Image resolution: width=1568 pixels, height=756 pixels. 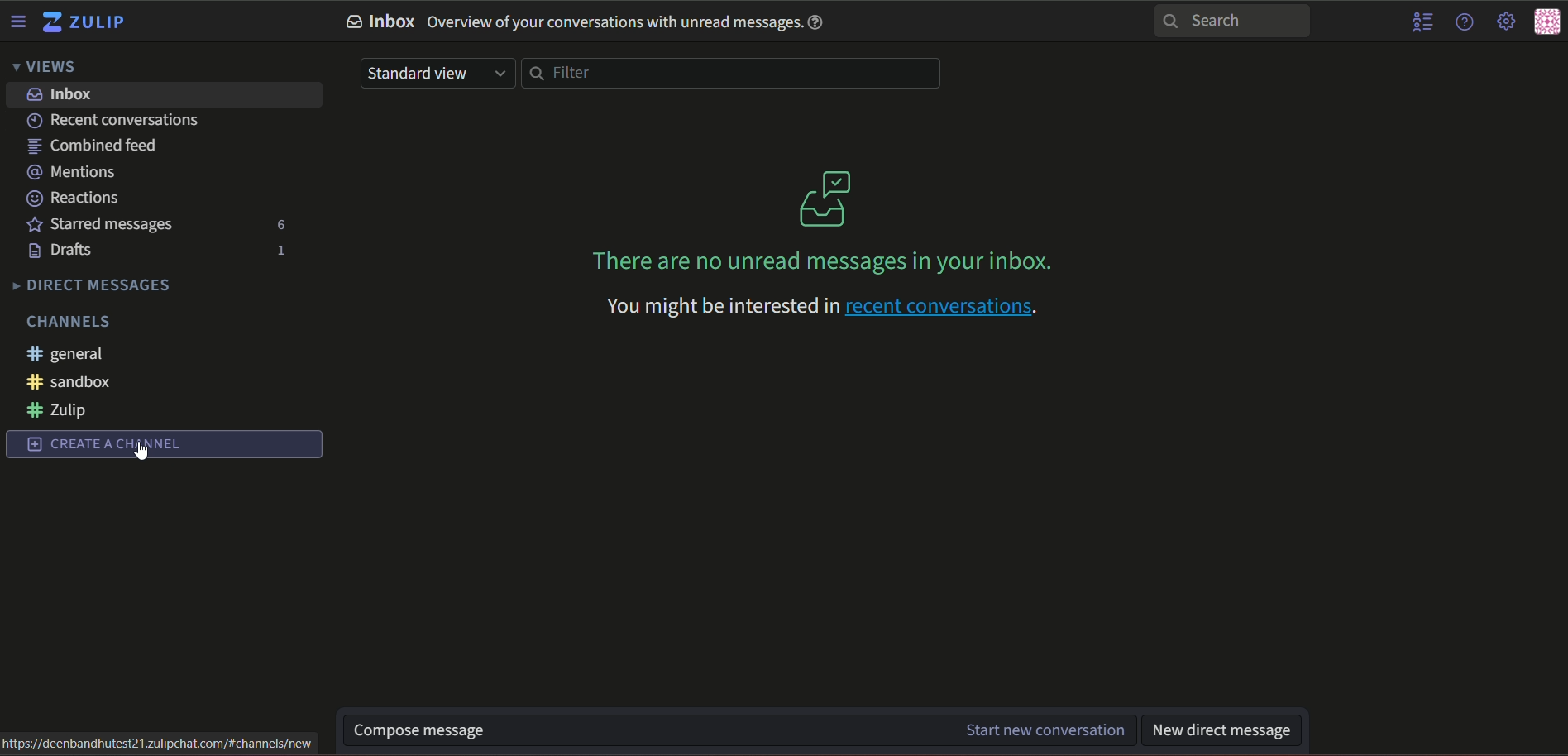 What do you see at coordinates (63, 410) in the screenshot?
I see `#zulip` at bounding box center [63, 410].